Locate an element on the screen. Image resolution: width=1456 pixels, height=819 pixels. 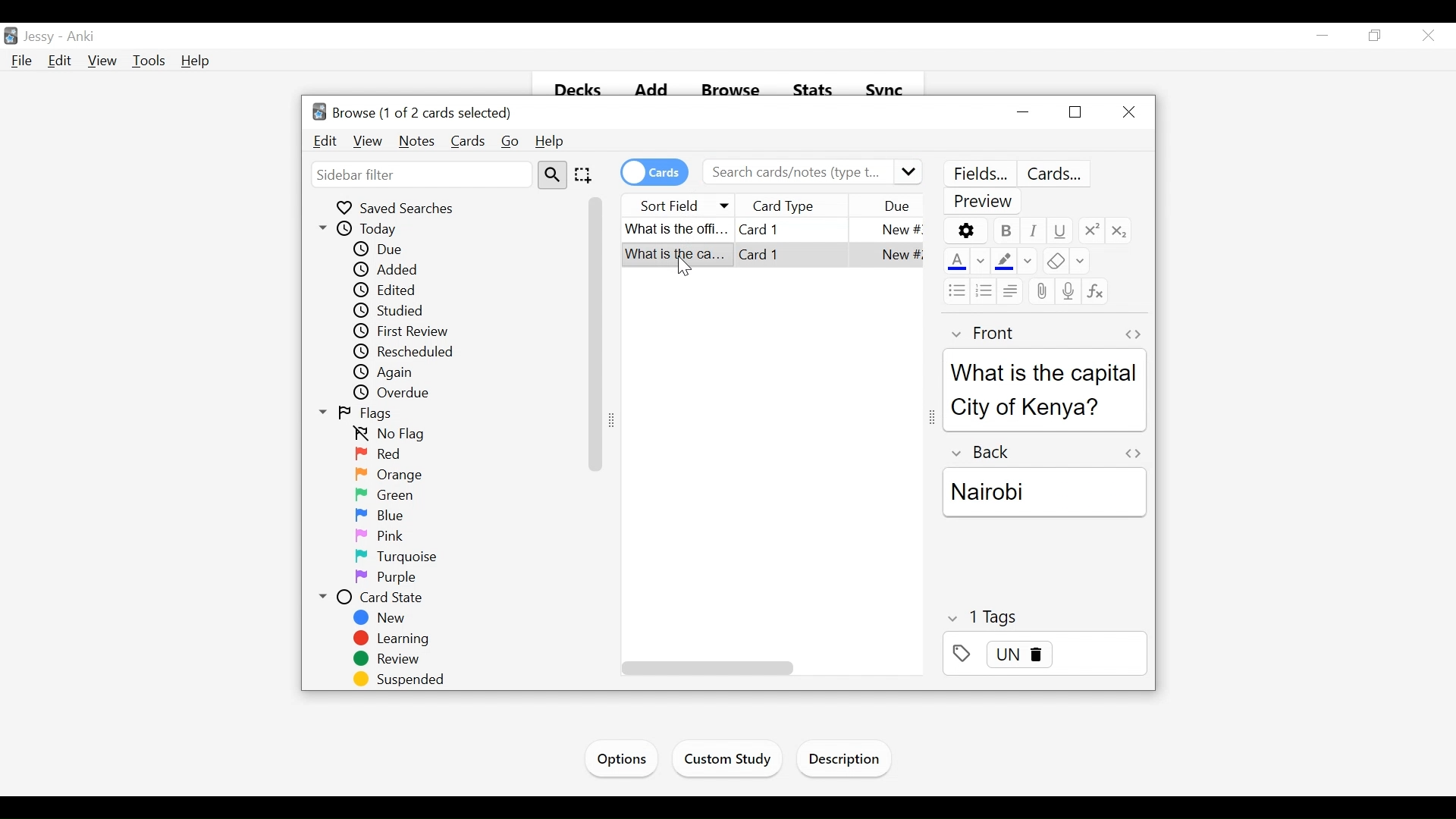
Text Coloe is located at coordinates (955, 262).